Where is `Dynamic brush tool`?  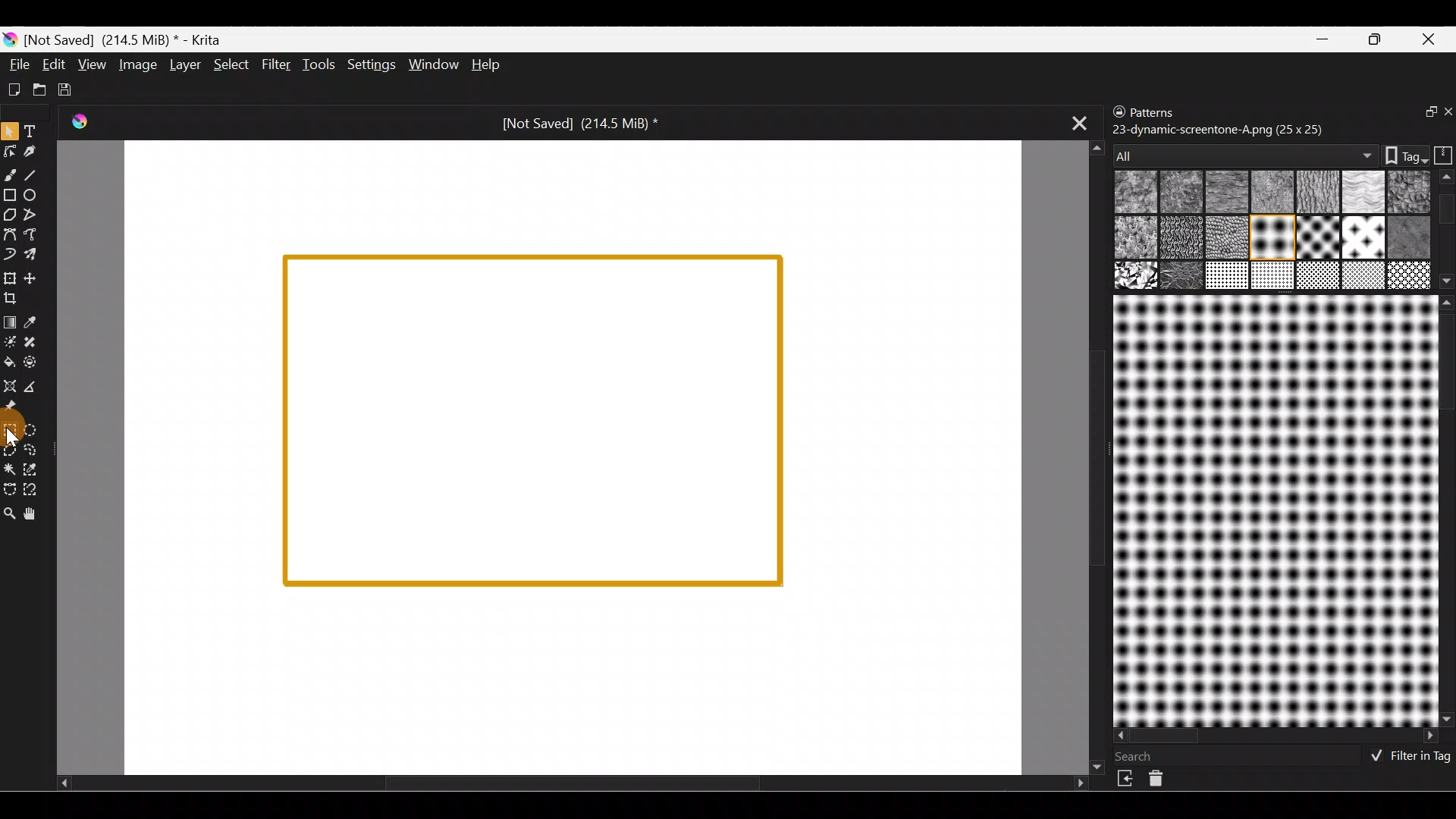
Dynamic brush tool is located at coordinates (10, 255).